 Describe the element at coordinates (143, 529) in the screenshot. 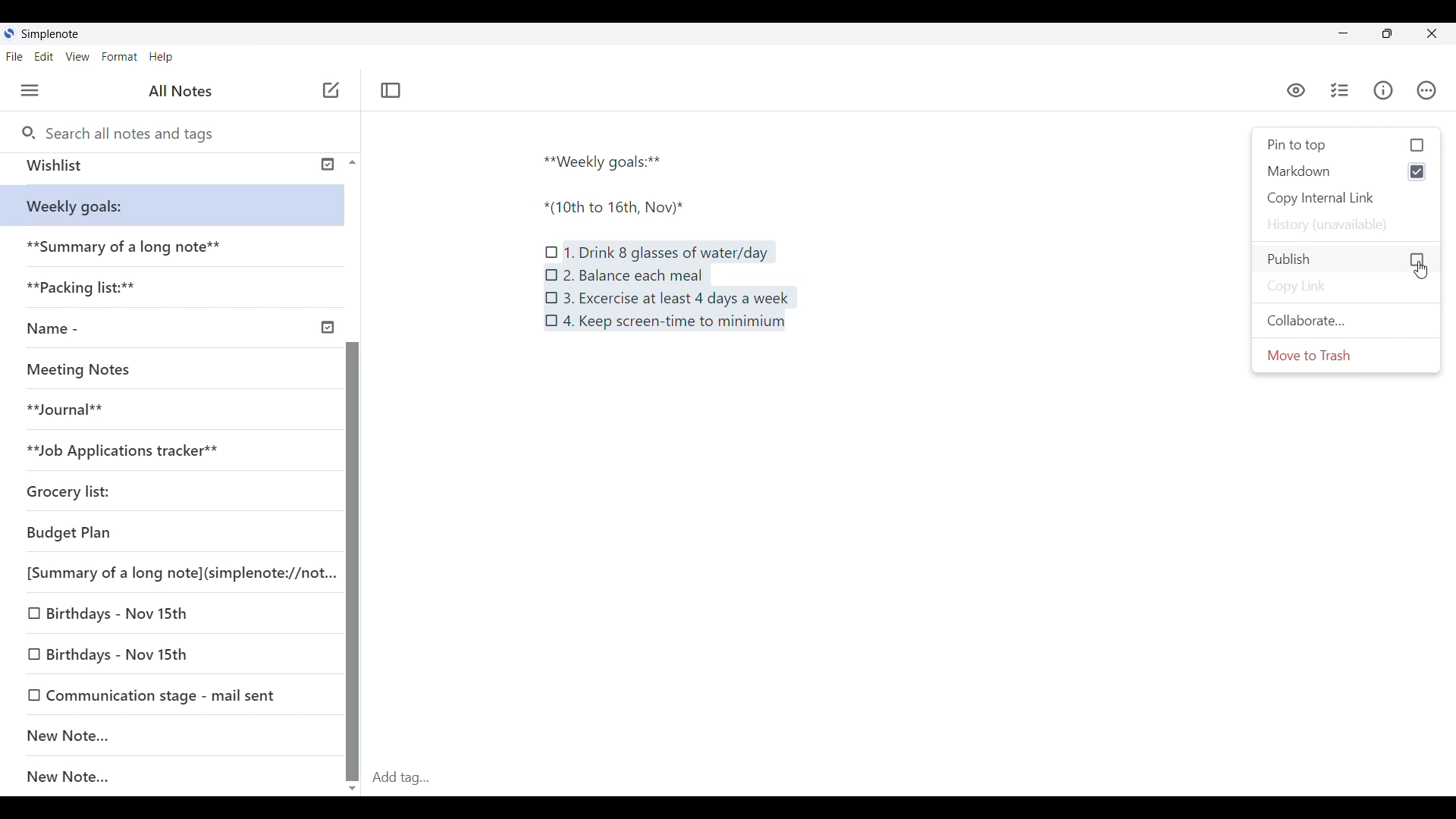

I see `Budget Plan` at that location.